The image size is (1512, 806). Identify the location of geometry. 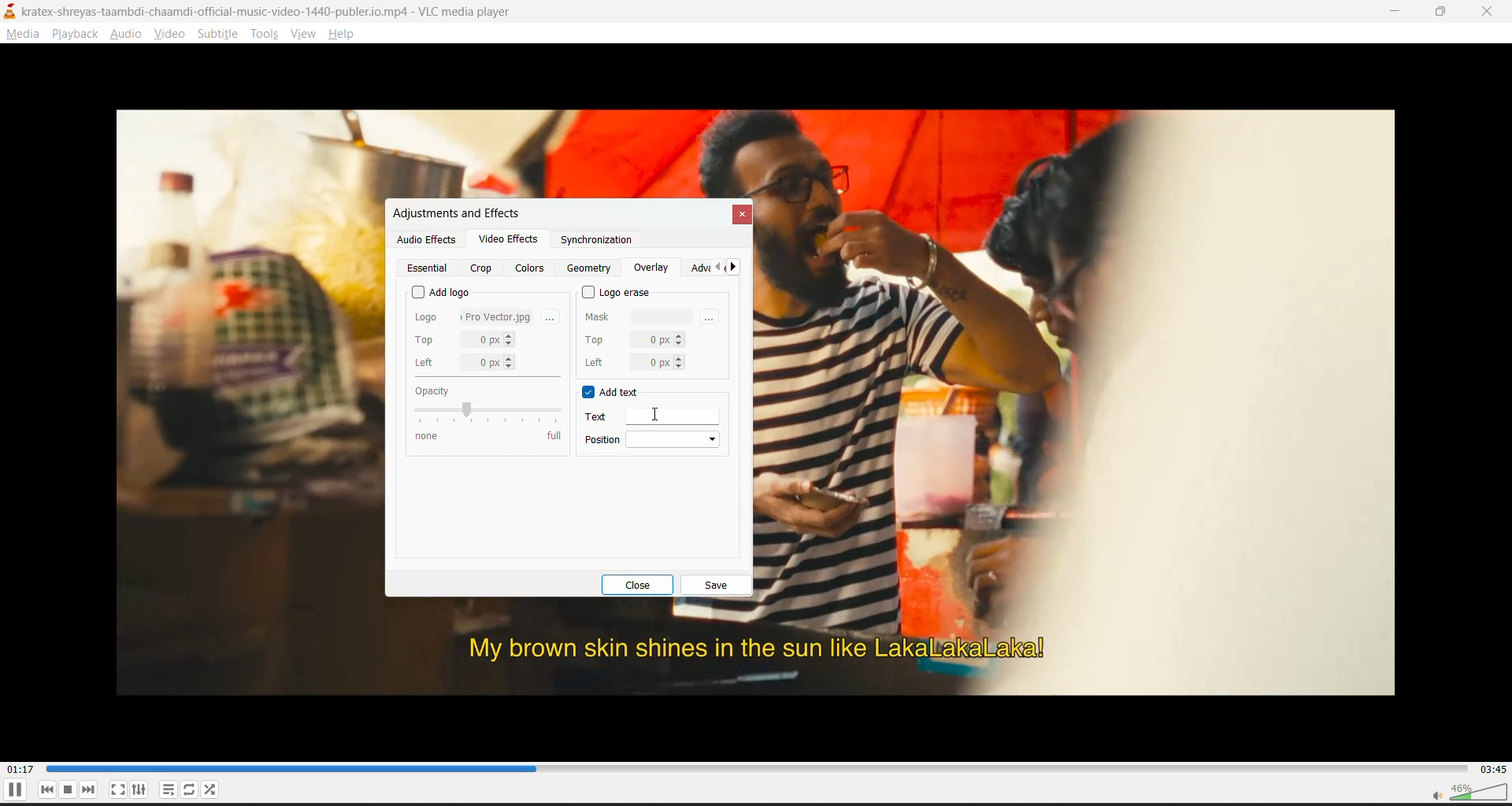
(591, 268).